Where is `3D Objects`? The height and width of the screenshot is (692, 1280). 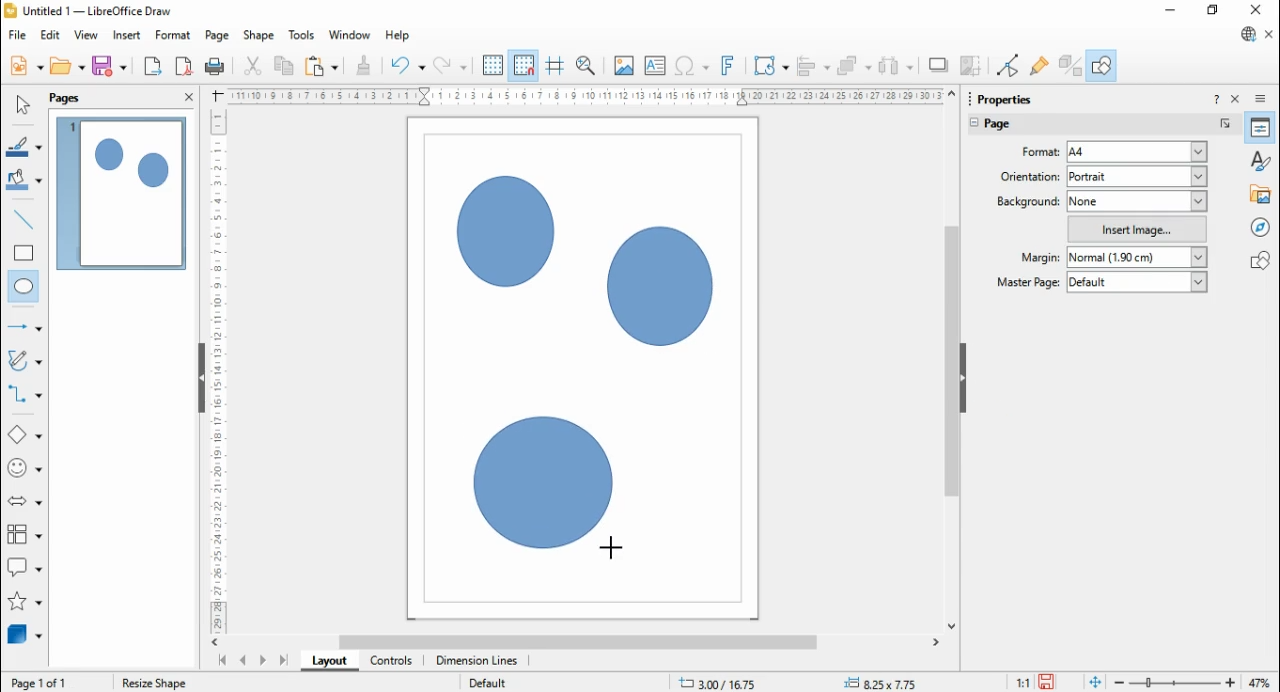
3D Objects is located at coordinates (23, 635).